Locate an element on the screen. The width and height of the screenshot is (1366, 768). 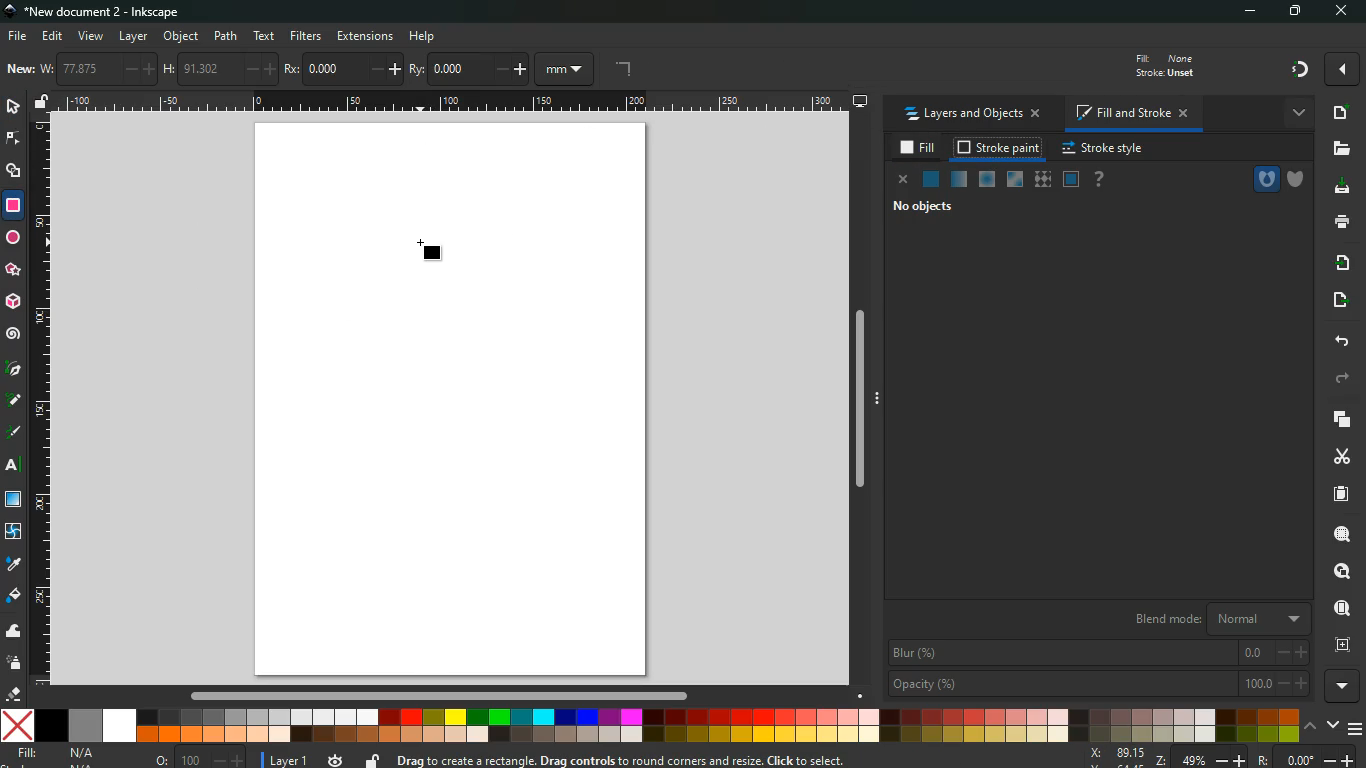
message is located at coordinates (675, 760).